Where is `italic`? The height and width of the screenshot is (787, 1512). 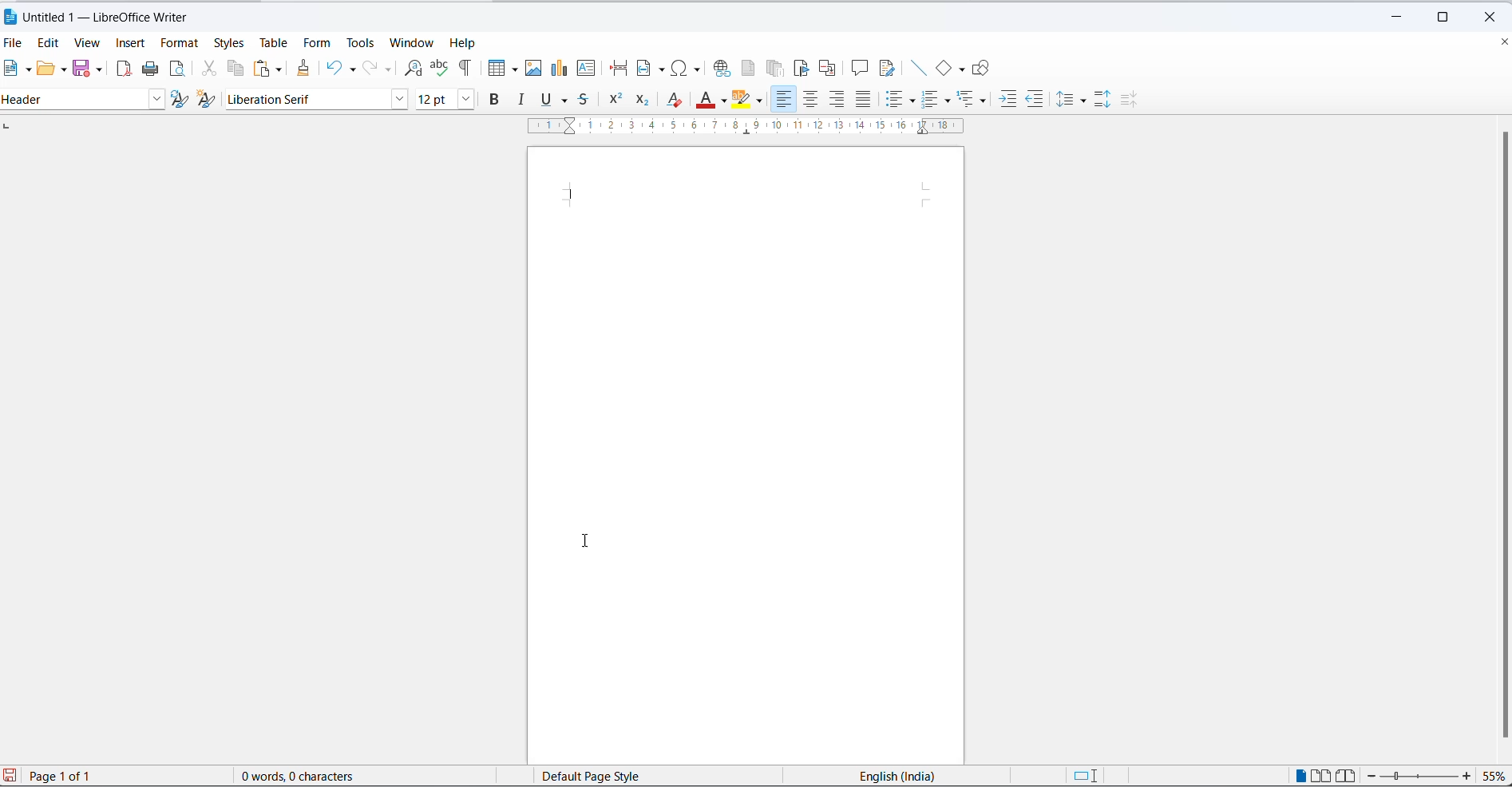 italic is located at coordinates (524, 100).